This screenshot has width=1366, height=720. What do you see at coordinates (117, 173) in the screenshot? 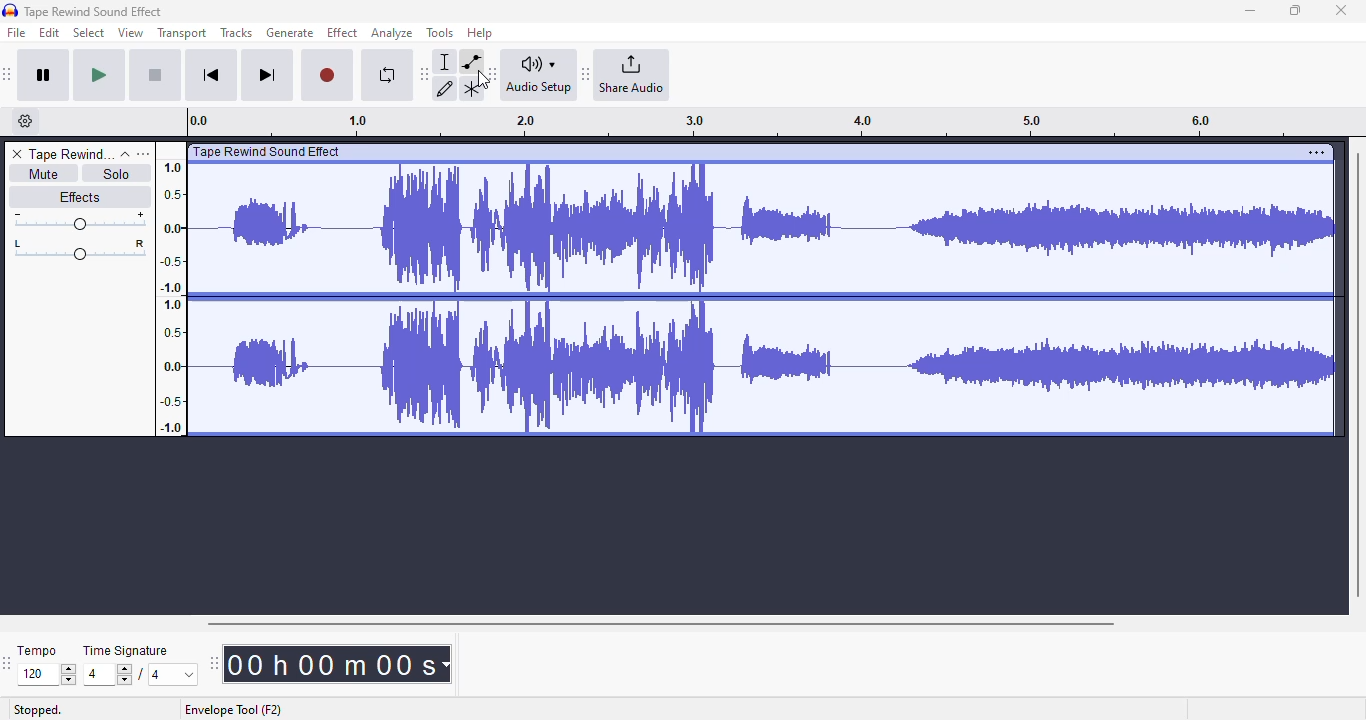
I see `solo` at bounding box center [117, 173].